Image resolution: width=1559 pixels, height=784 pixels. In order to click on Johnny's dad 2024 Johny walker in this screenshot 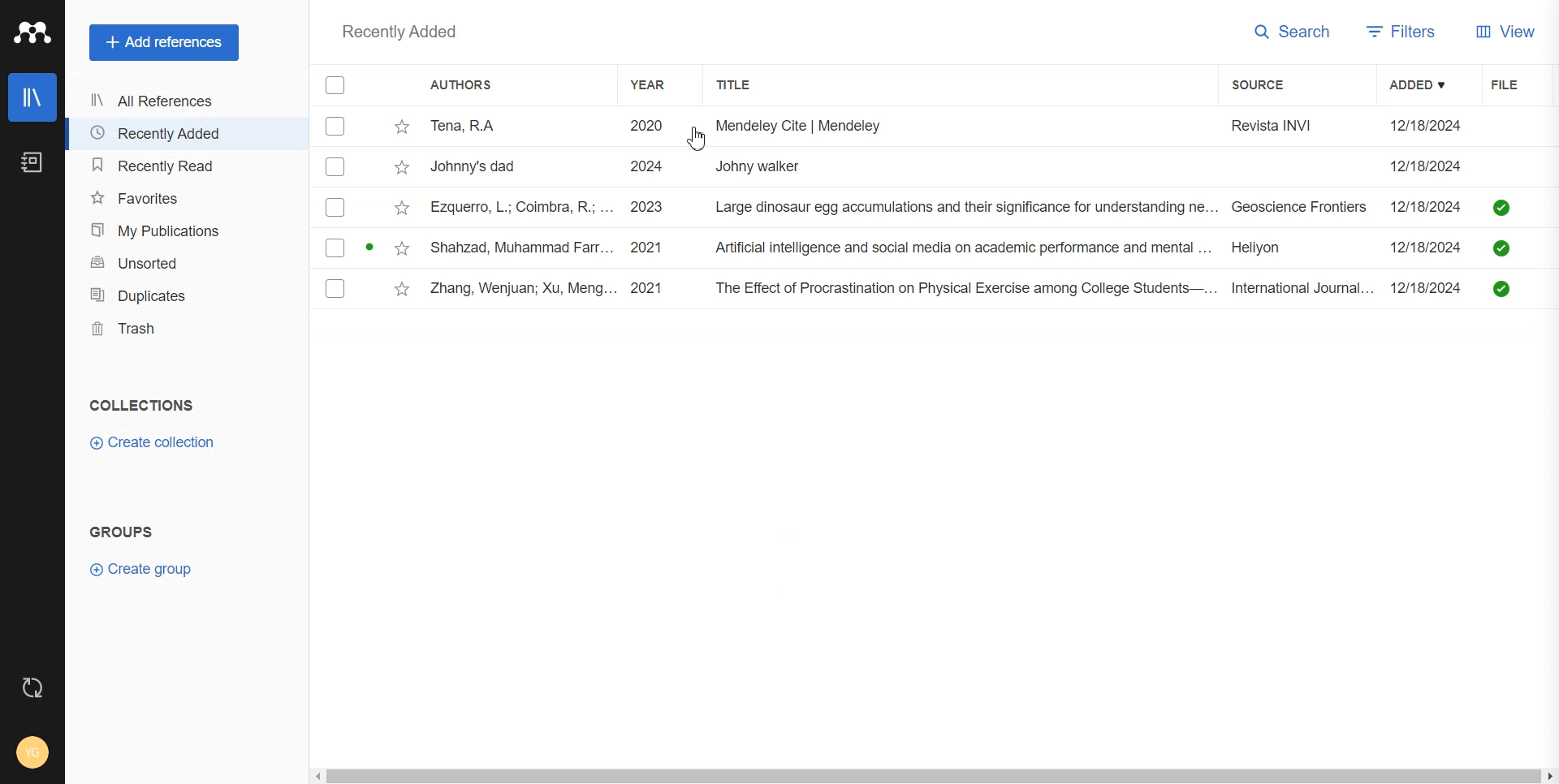, I will do `click(901, 169)`.